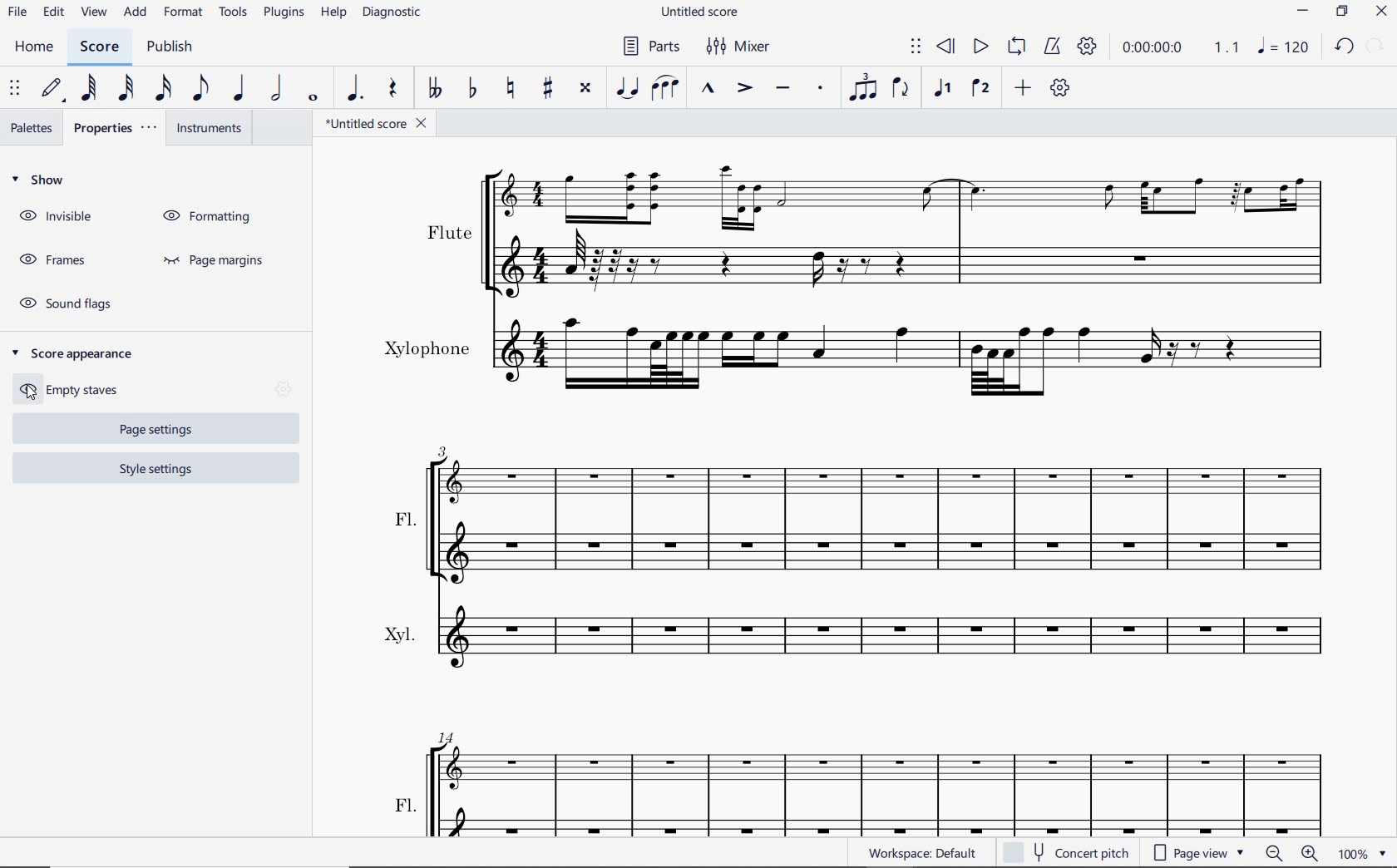  What do you see at coordinates (864, 779) in the screenshot?
I see `Fl.` at bounding box center [864, 779].